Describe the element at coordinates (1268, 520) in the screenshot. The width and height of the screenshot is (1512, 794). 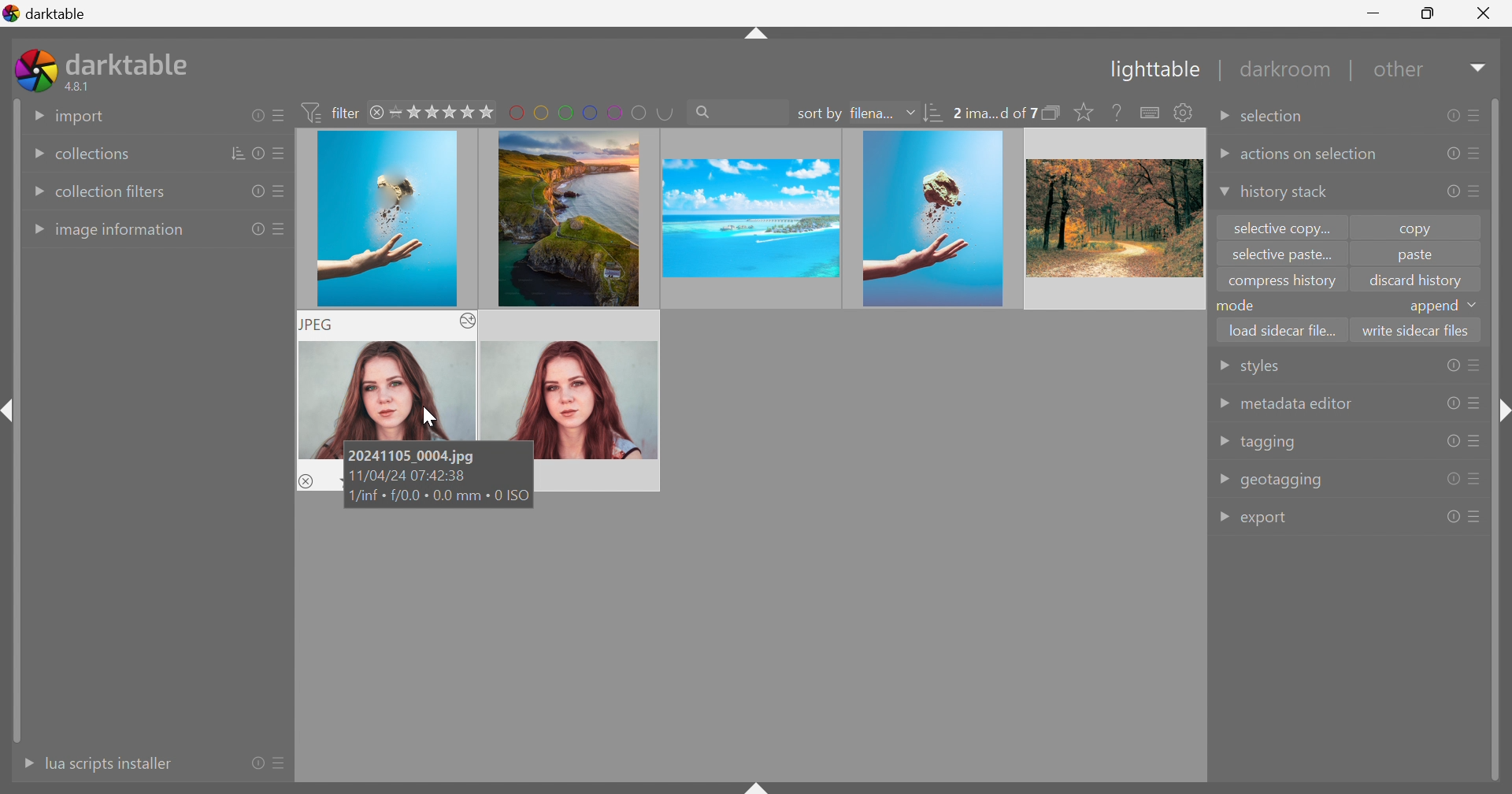
I see `export` at that location.